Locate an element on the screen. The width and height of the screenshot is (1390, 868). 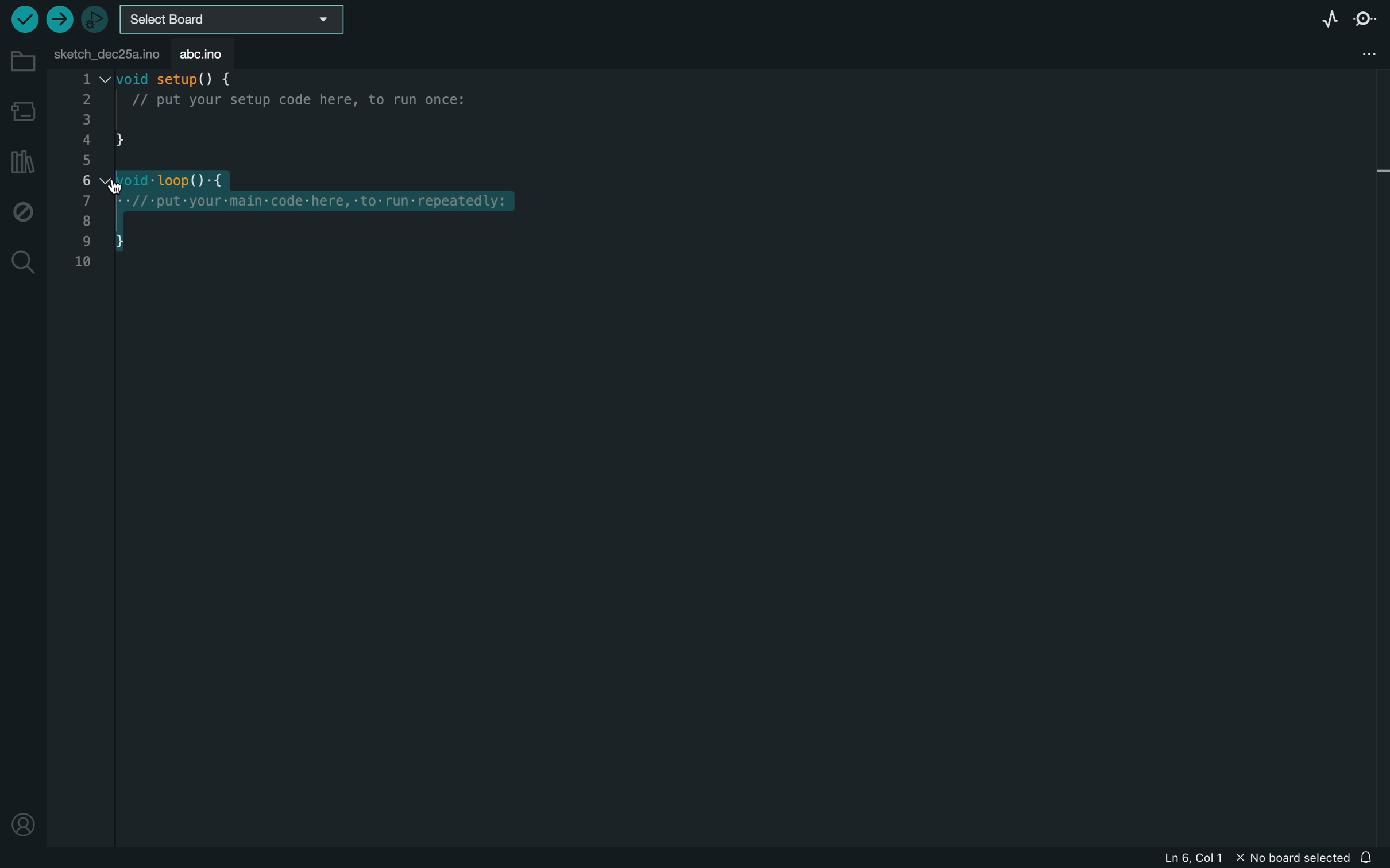
1,2,3,4,5,6,7,8,9,10 is located at coordinates (83, 177).